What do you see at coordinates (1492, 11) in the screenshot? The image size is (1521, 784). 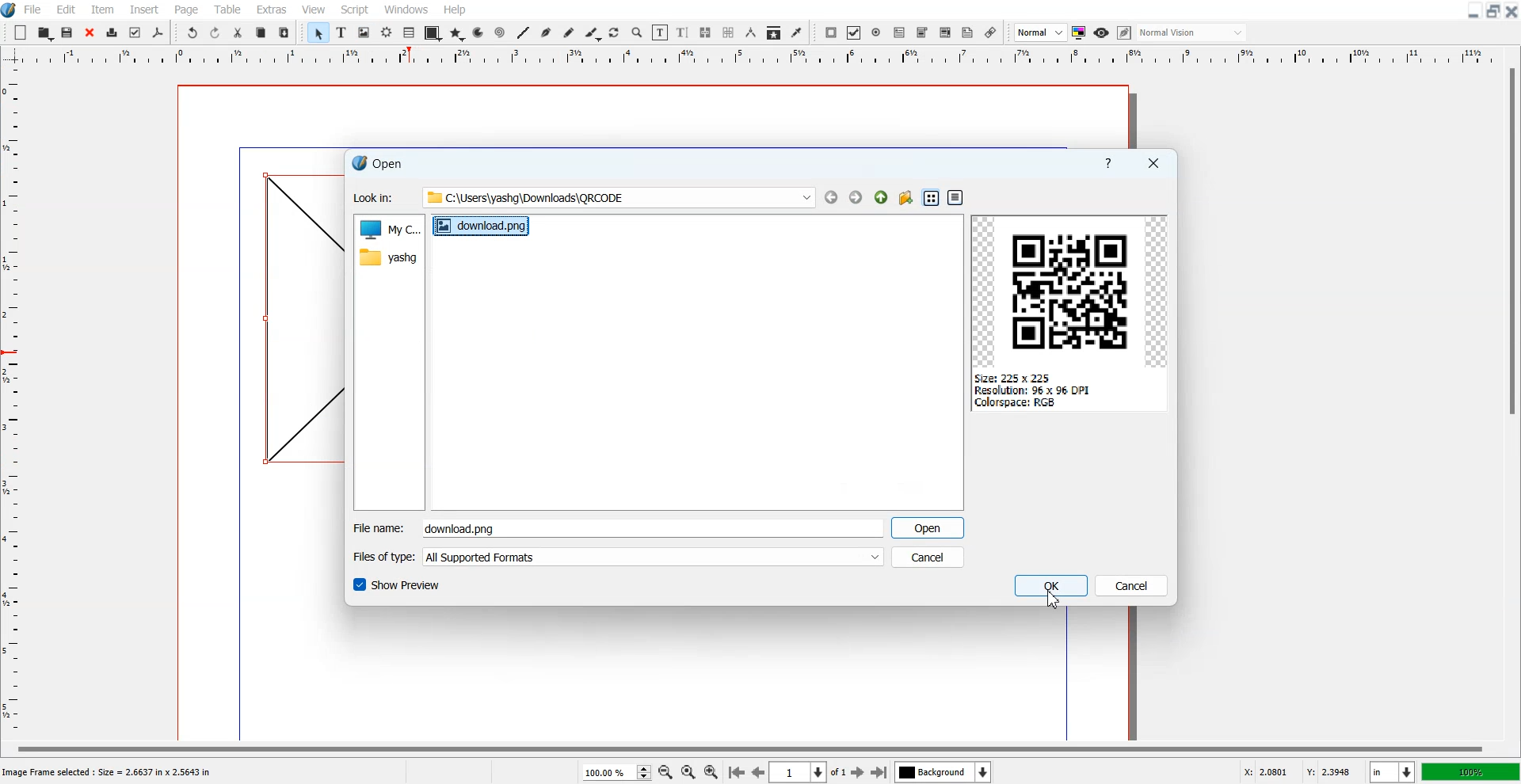 I see `Maximize` at bounding box center [1492, 11].